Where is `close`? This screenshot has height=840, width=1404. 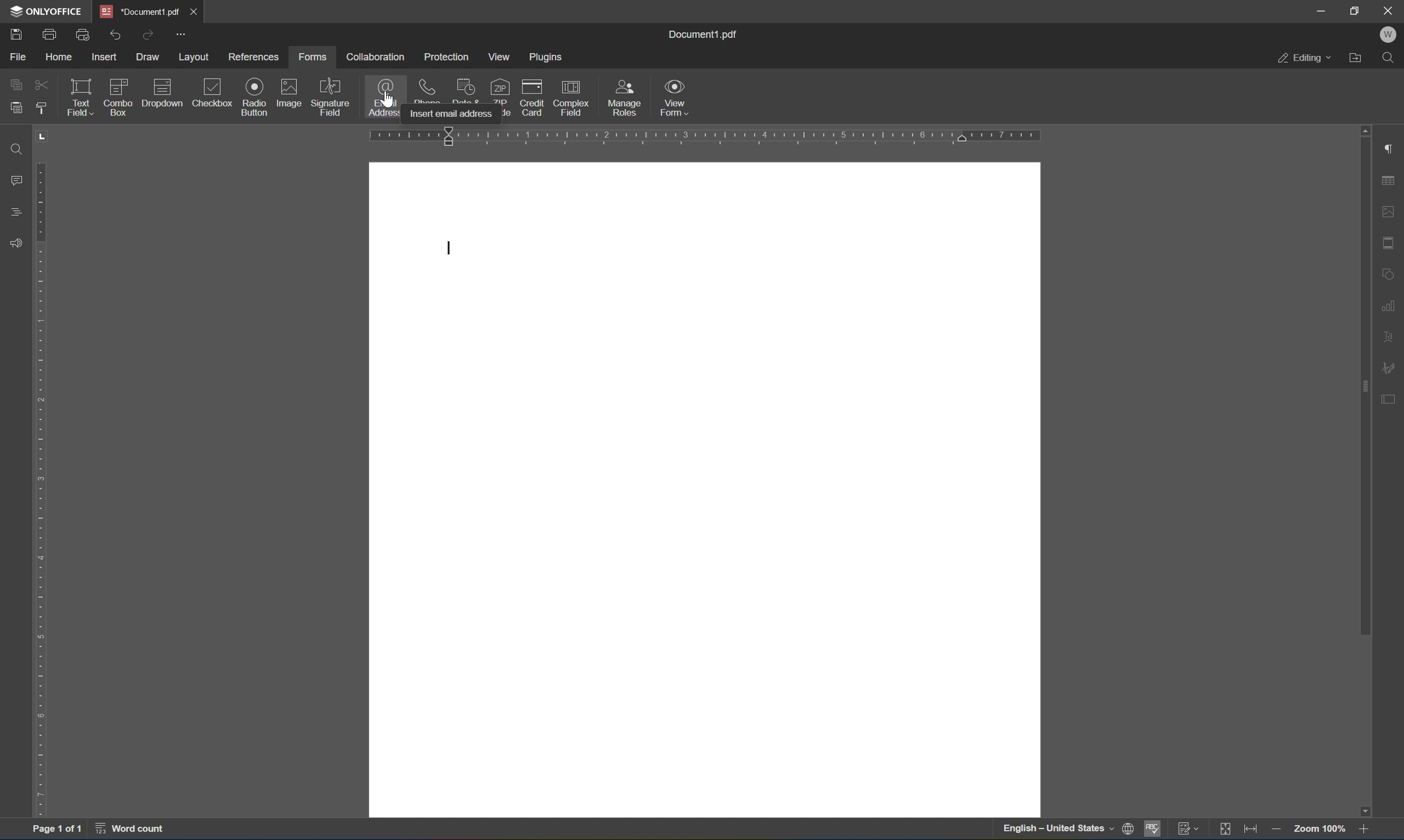 close is located at coordinates (194, 13).